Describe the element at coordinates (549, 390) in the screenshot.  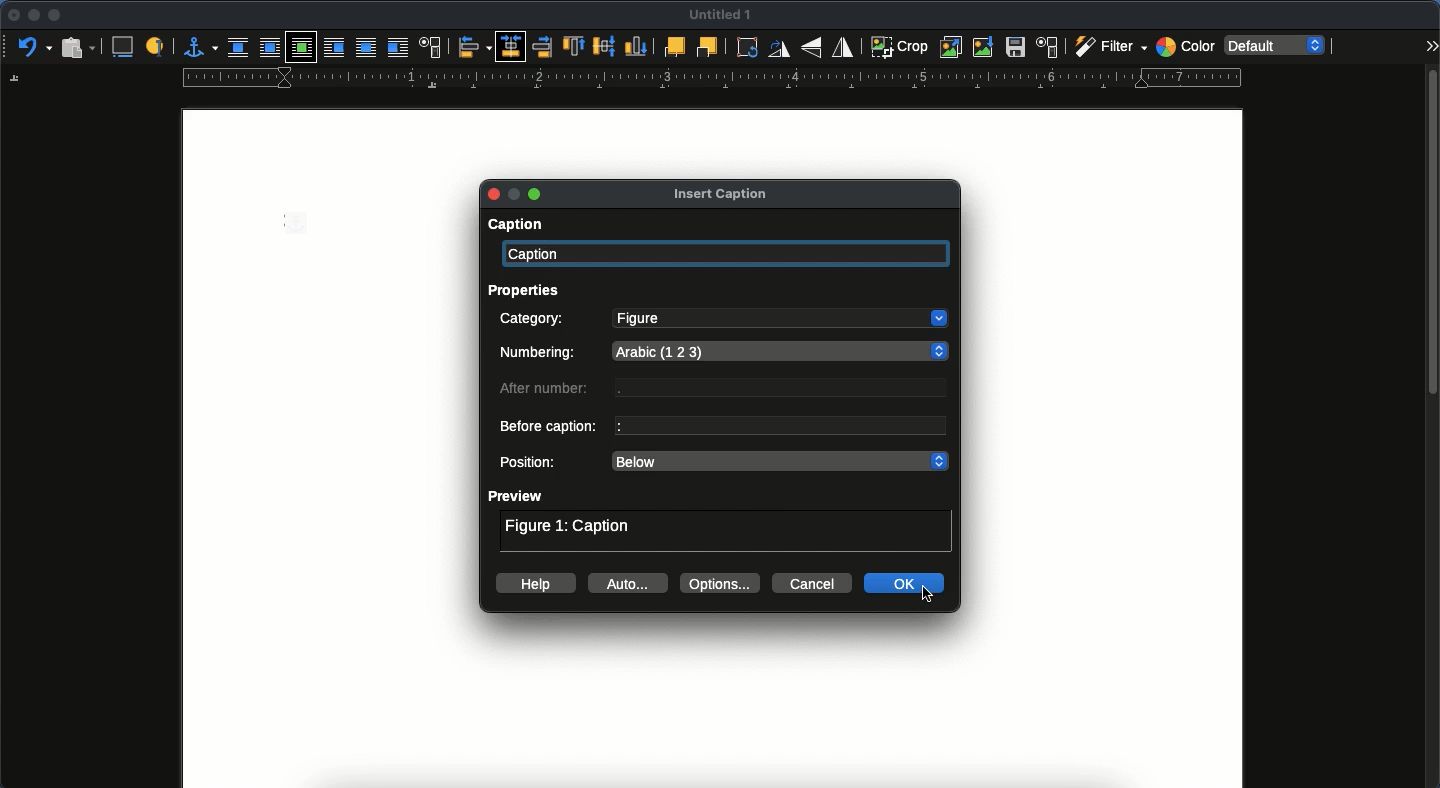
I see `after number` at that location.